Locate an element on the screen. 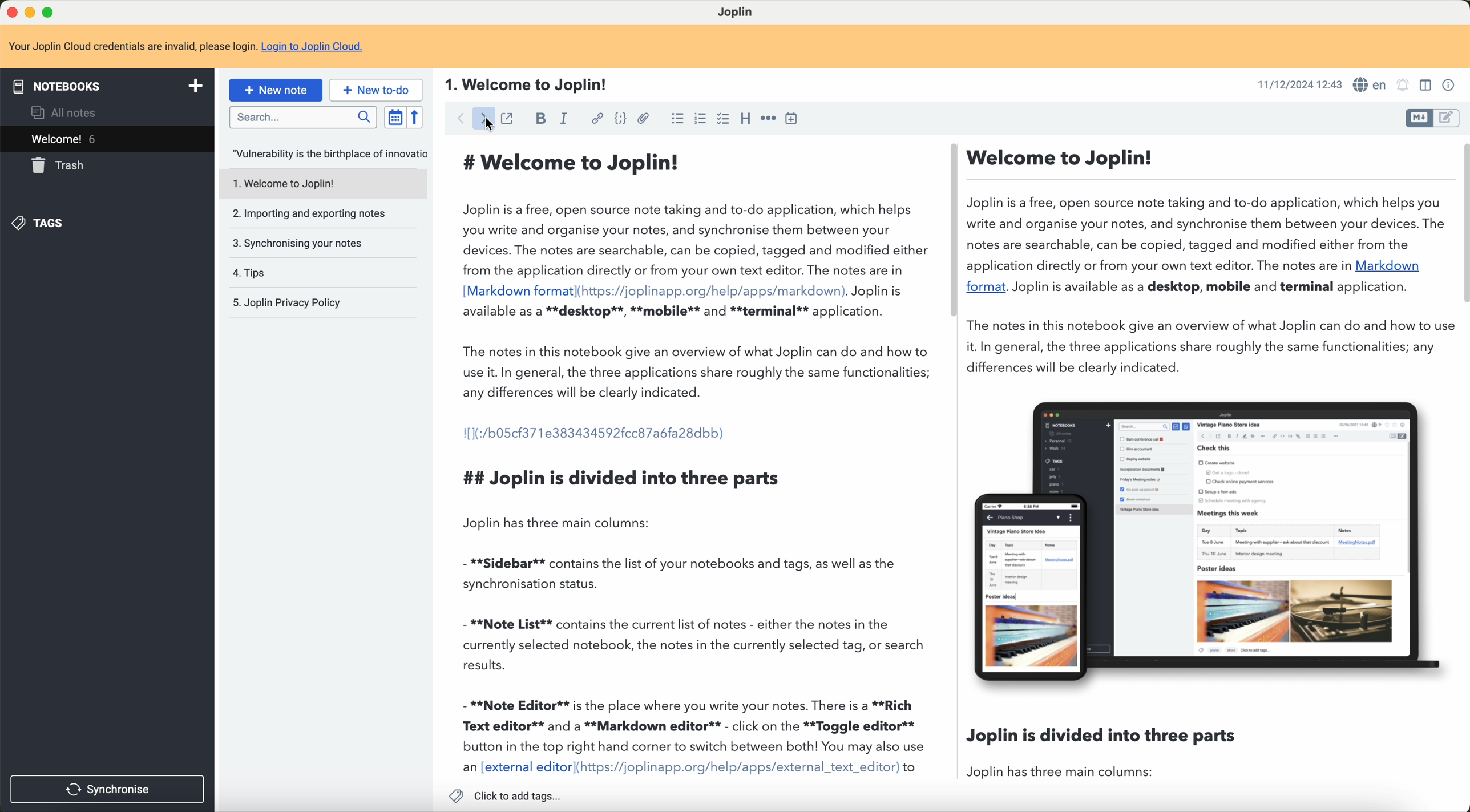  heading is located at coordinates (744, 119).